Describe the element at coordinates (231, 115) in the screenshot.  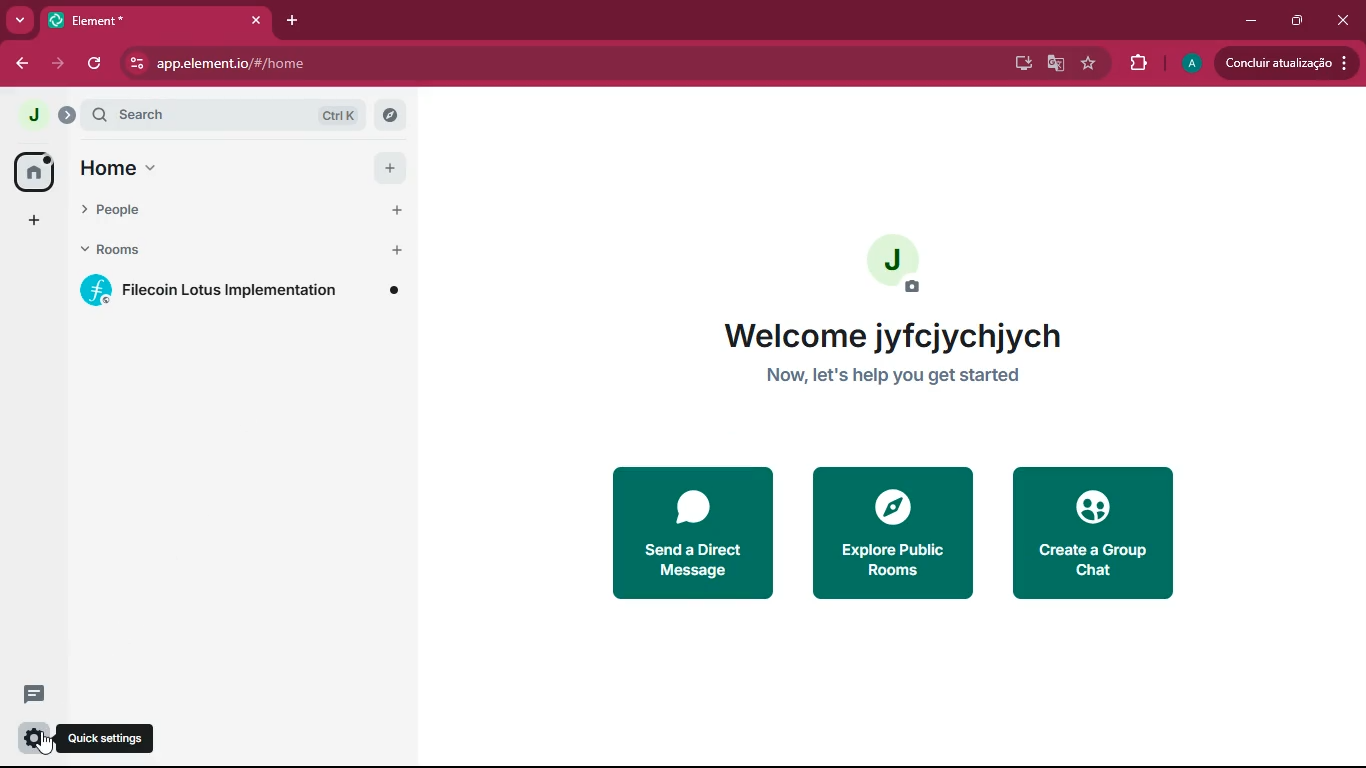
I see `search ctrl k` at that location.